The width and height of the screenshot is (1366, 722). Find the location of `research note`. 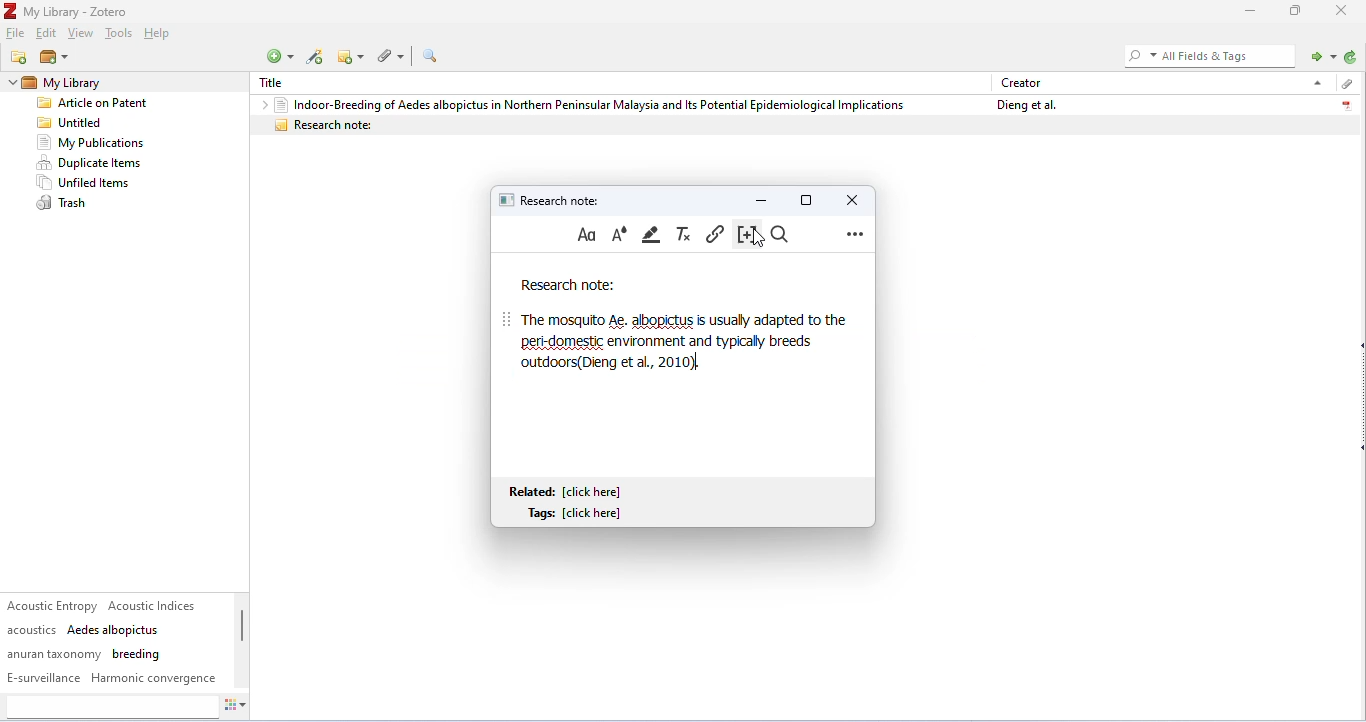

research note is located at coordinates (553, 199).